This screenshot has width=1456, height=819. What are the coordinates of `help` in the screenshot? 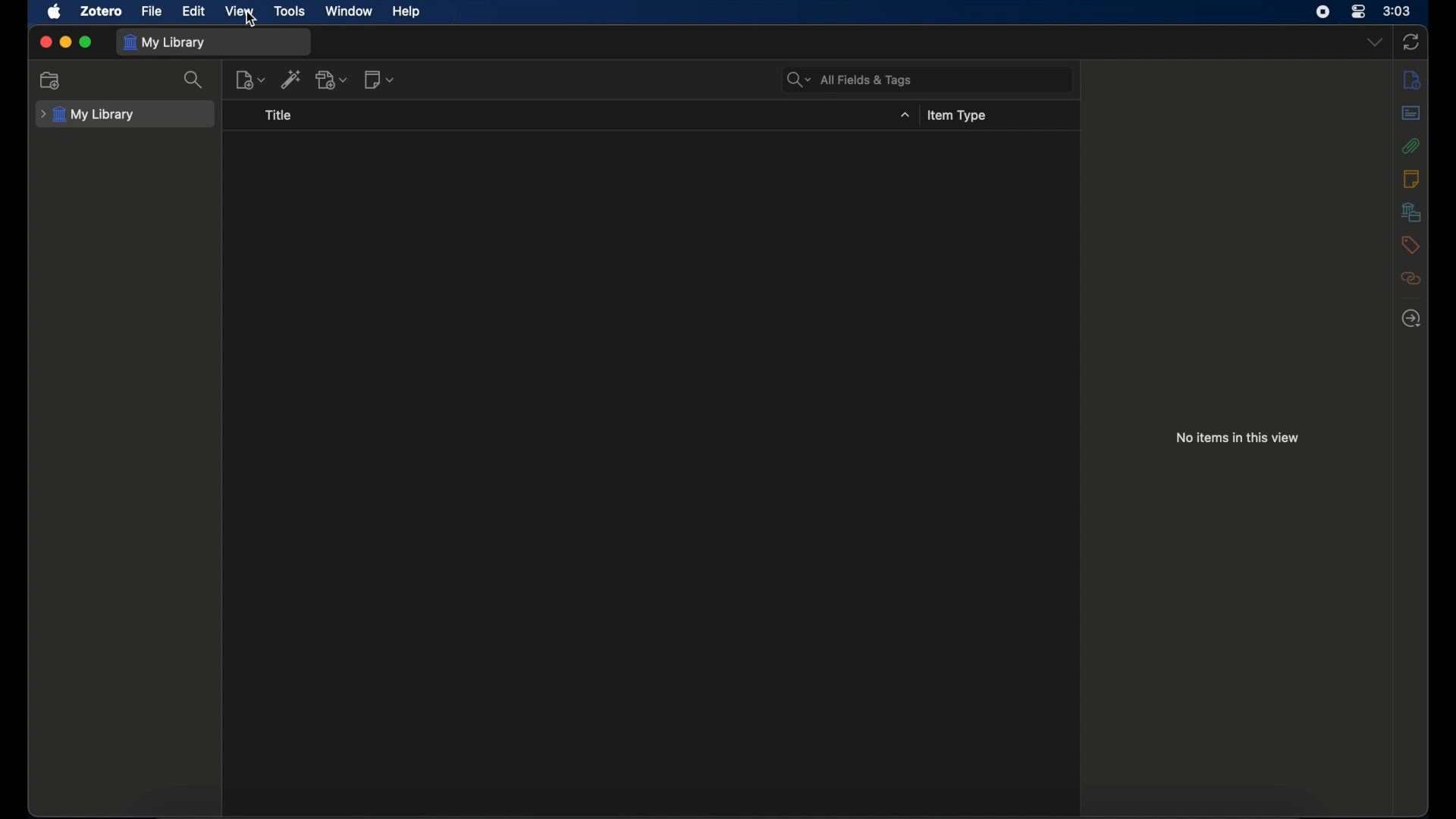 It's located at (406, 12).